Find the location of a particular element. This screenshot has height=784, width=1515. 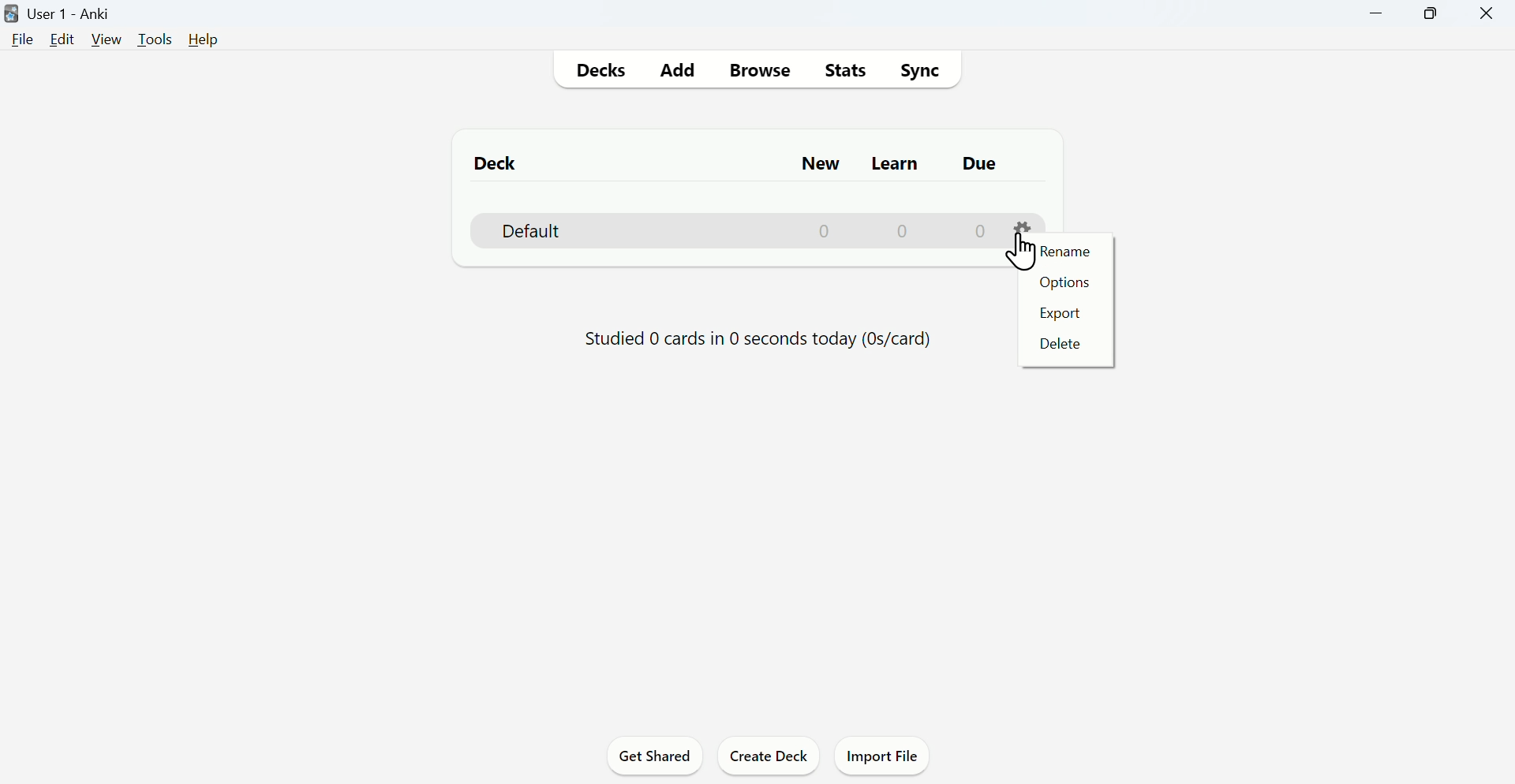

Deck is located at coordinates (762, 230).